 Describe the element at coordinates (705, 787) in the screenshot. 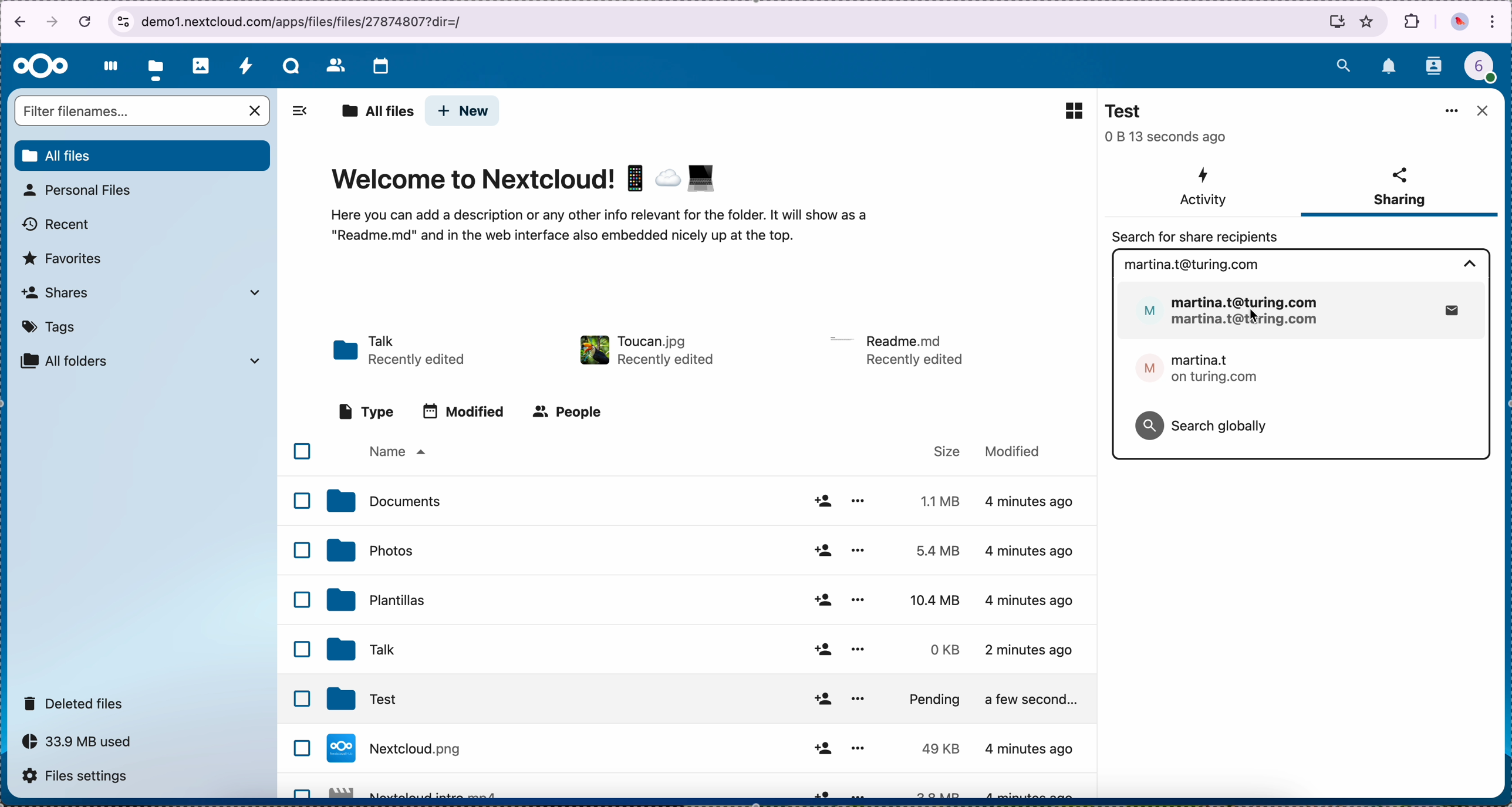

I see `file` at that location.